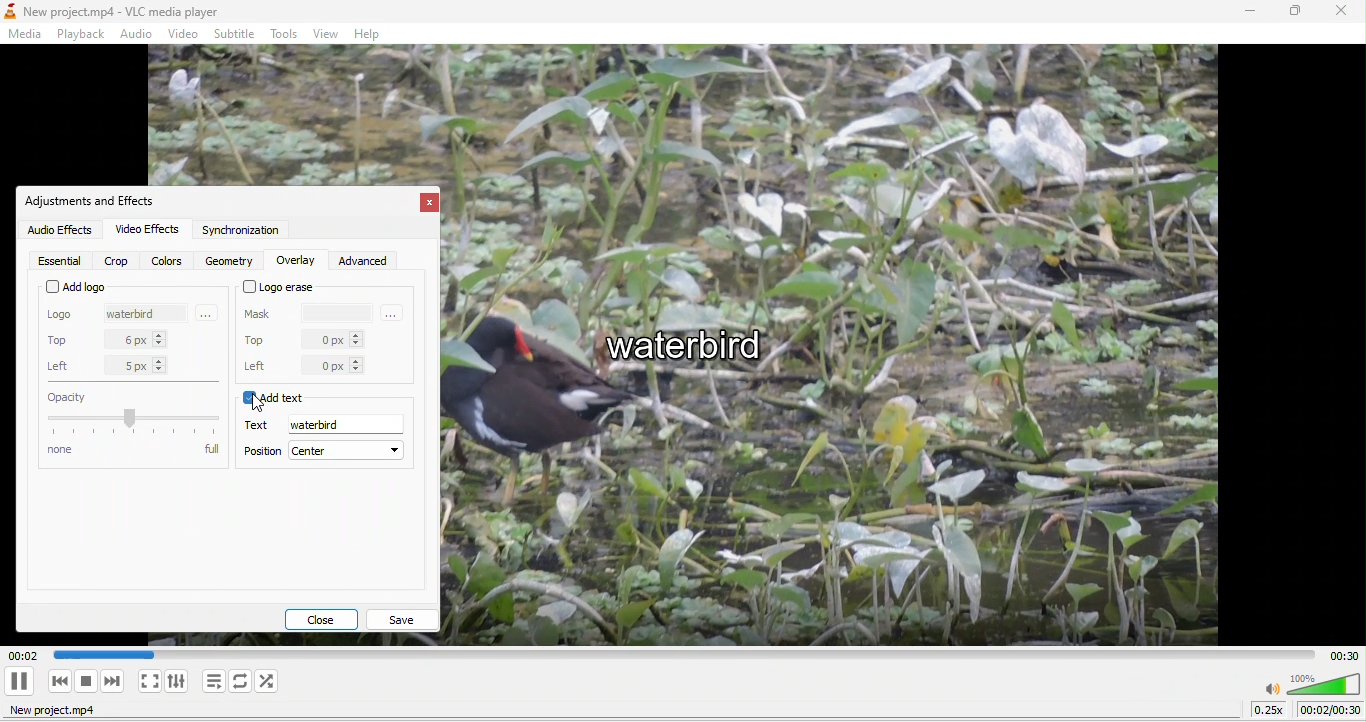 This screenshot has height=722, width=1366. I want to click on 00.02, so click(20, 655).